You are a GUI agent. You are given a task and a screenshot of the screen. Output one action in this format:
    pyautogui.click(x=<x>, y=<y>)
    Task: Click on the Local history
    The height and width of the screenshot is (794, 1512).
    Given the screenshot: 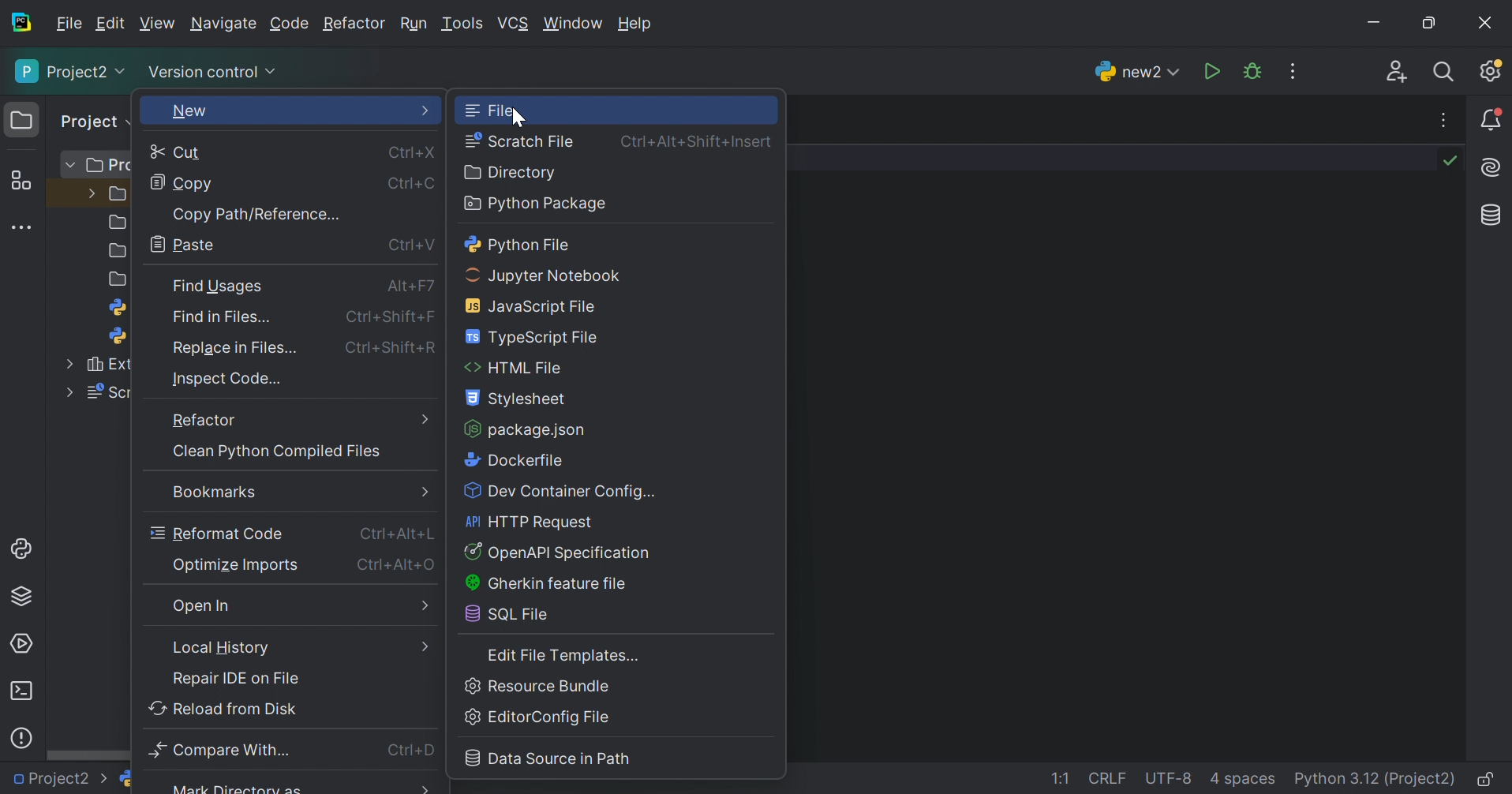 What is the action you would take?
    pyautogui.click(x=224, y=646)
    